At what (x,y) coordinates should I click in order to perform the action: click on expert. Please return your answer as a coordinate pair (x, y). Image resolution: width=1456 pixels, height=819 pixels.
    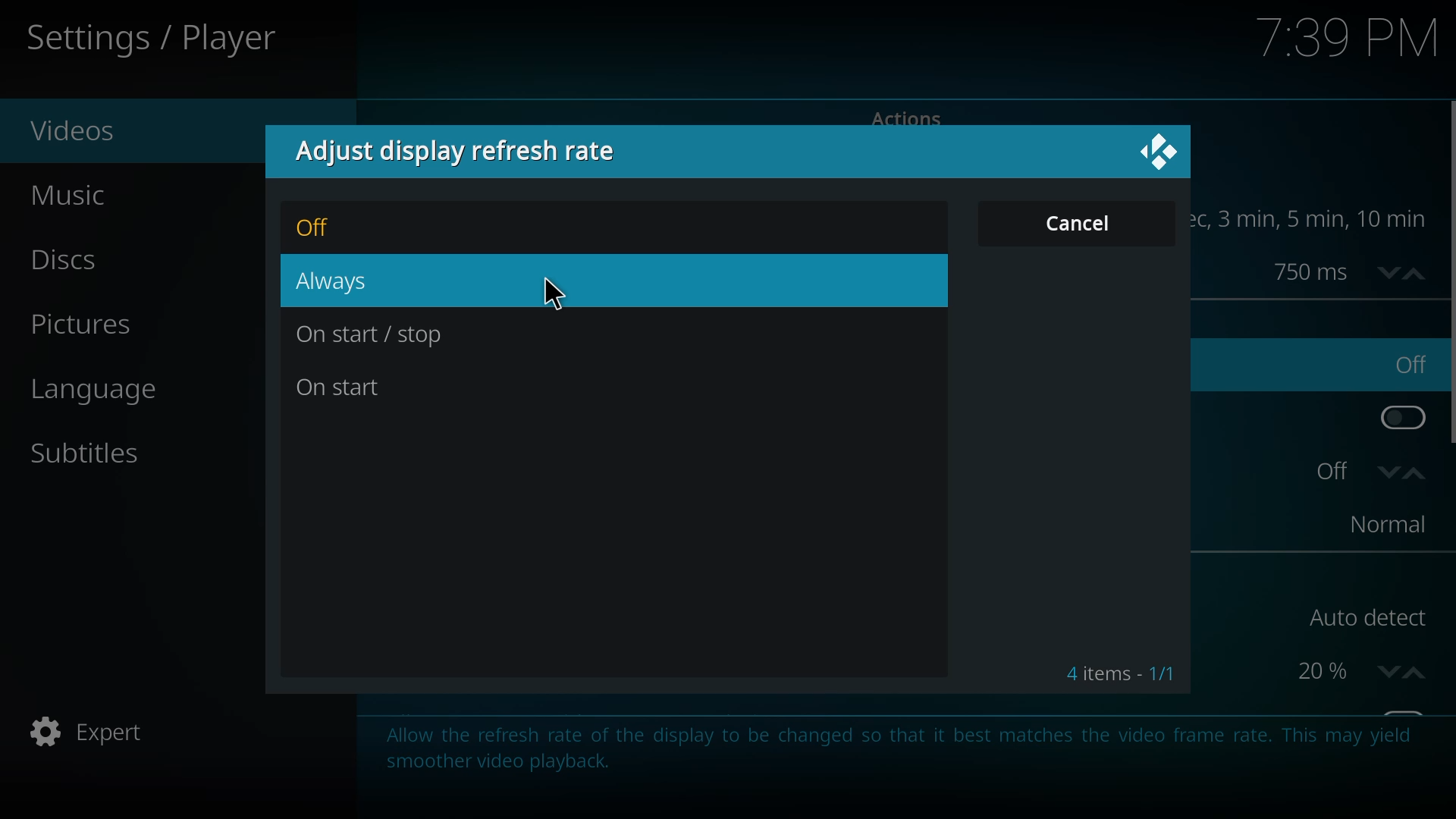
    Looking at the image, I should click on (93, 733).